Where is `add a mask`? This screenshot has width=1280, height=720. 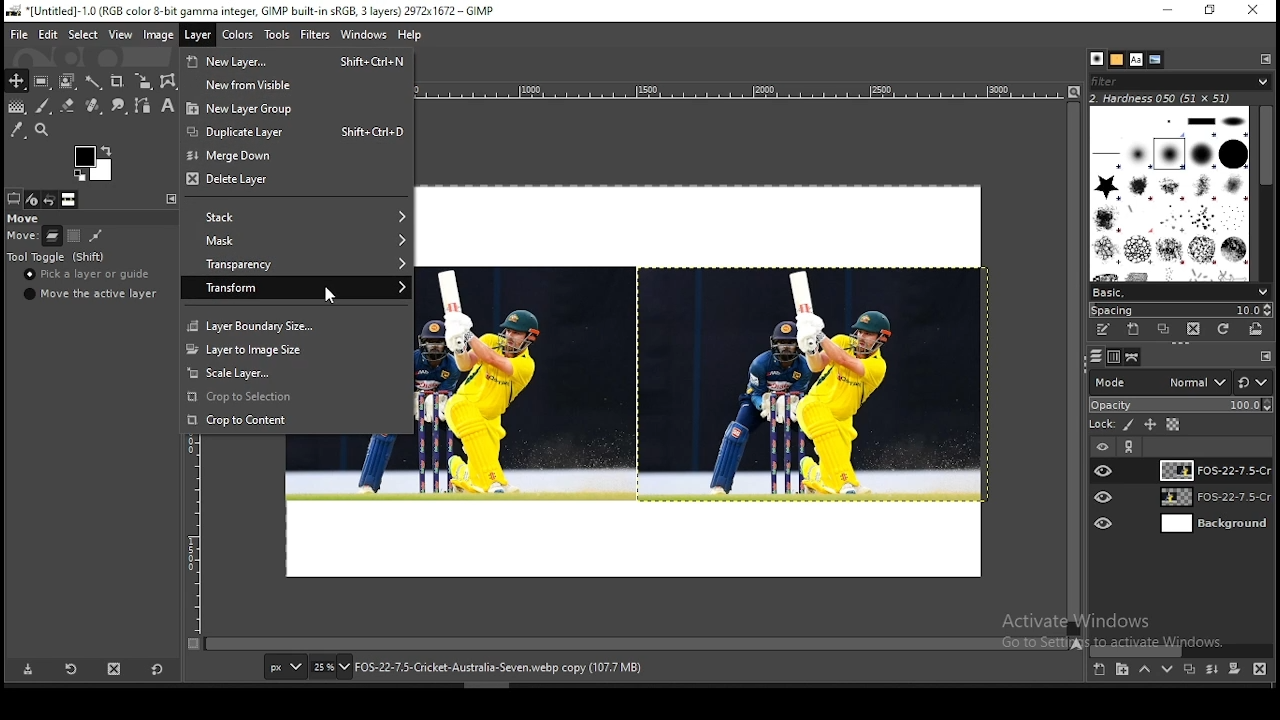 add a mask is located at coordinates (1232, 670).